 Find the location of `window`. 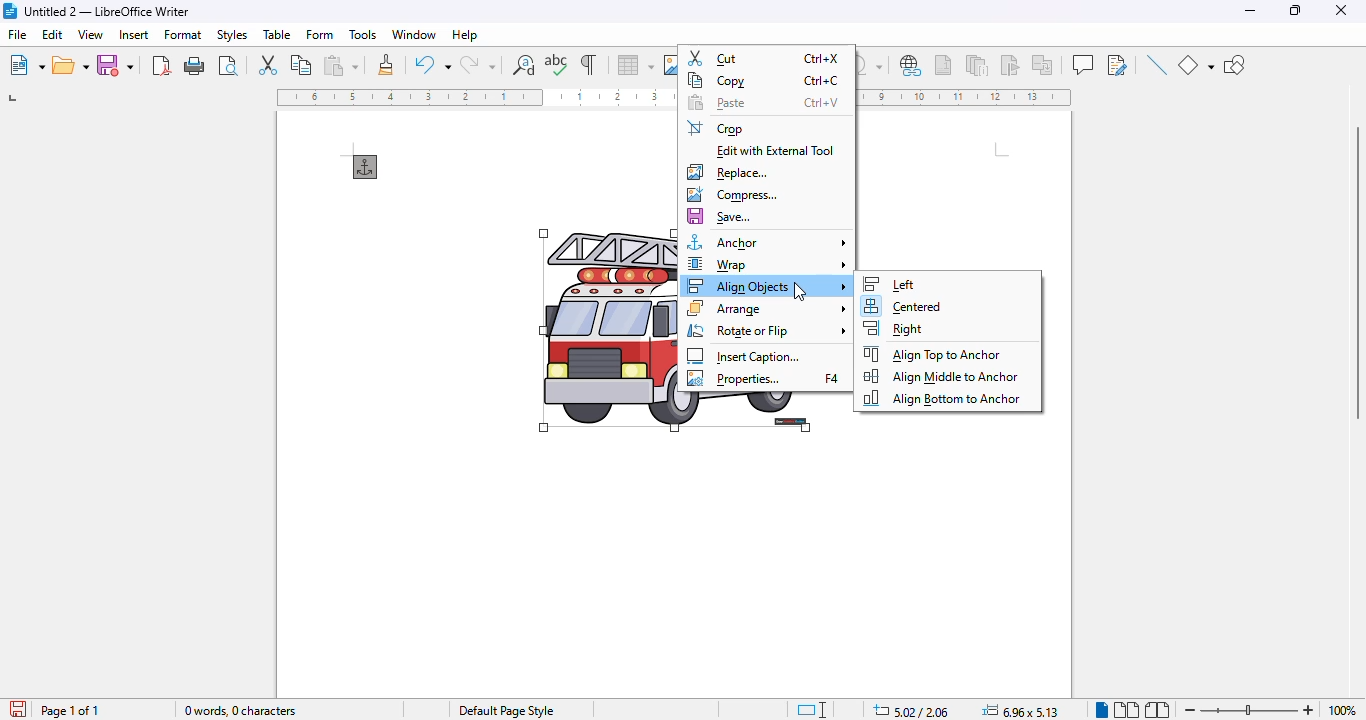

window is located at coordinates (414, 34).